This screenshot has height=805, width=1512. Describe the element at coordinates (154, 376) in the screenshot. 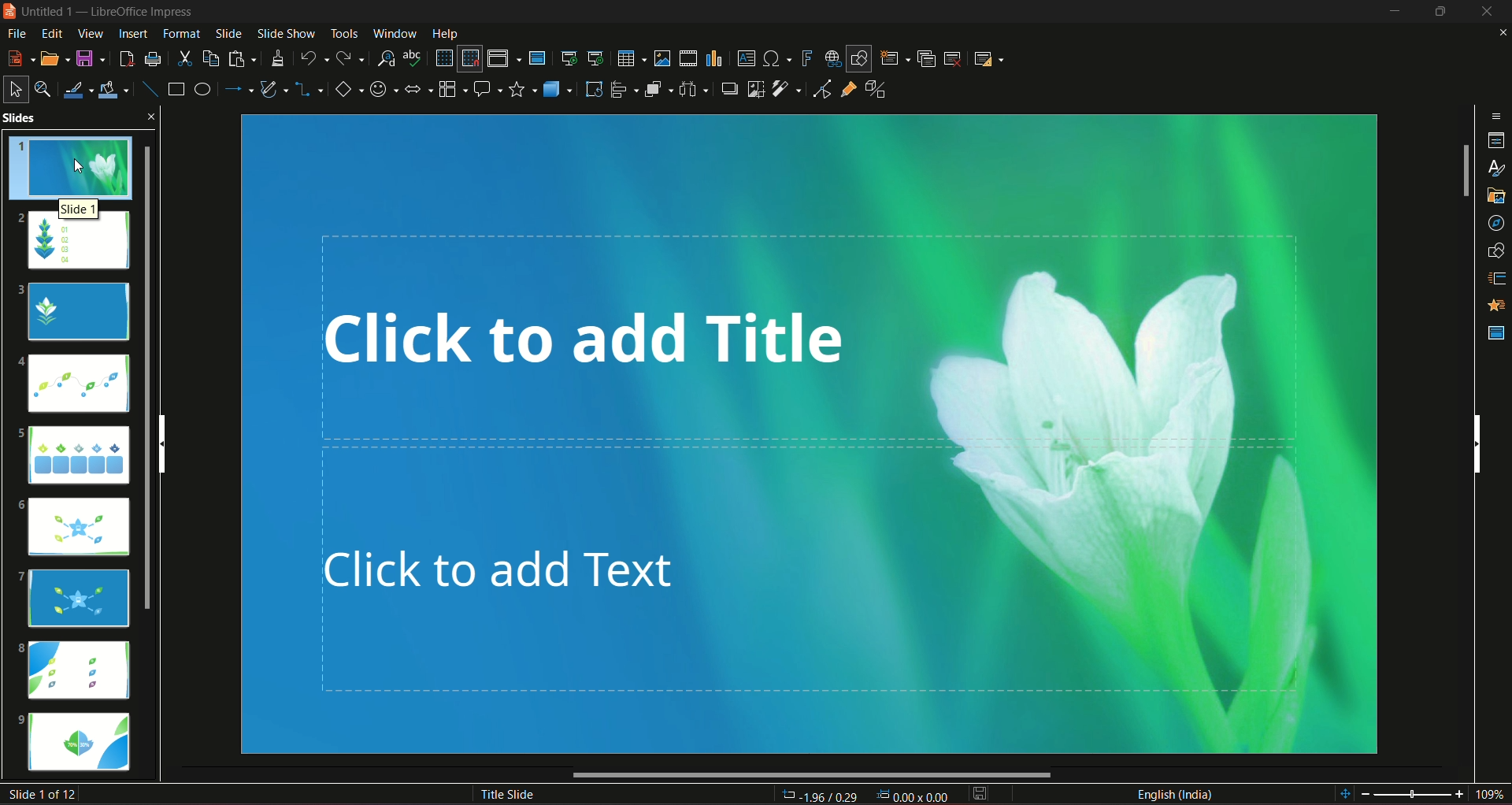

I see `slides scroll bar` at that location.